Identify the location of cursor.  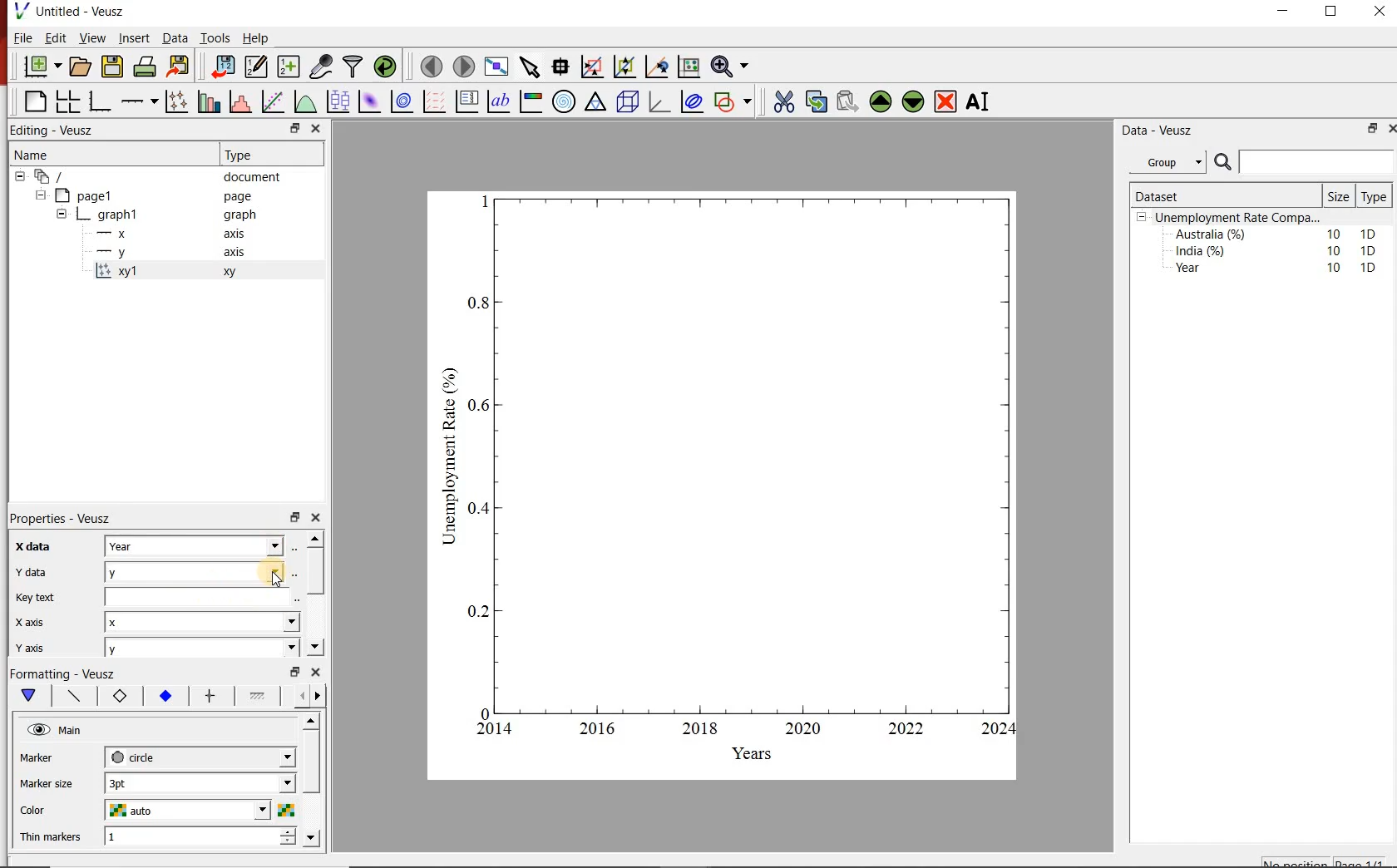
(277, 583).